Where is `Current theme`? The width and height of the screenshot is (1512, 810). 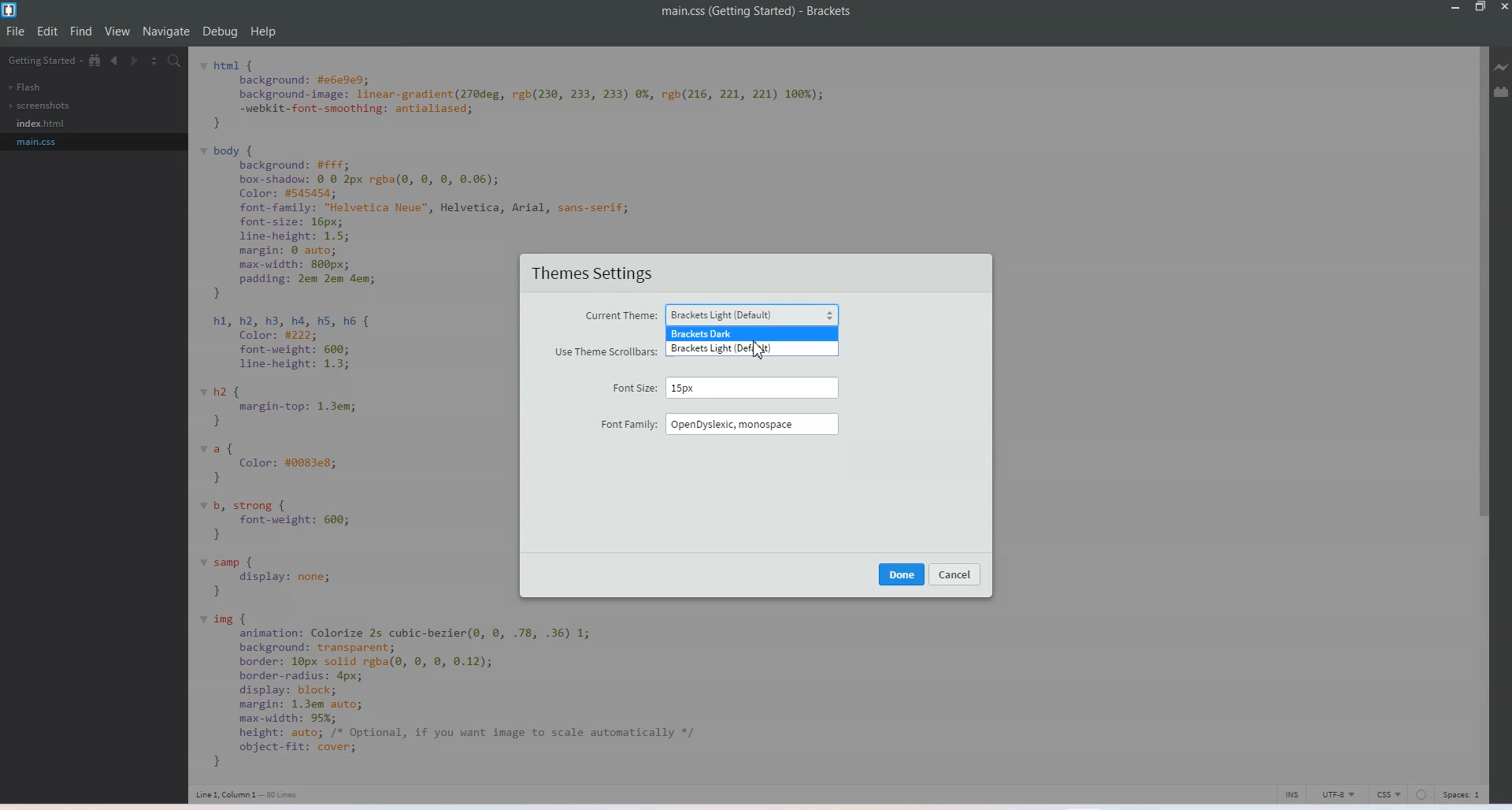 Current theme is located at coordinates (714, 314).